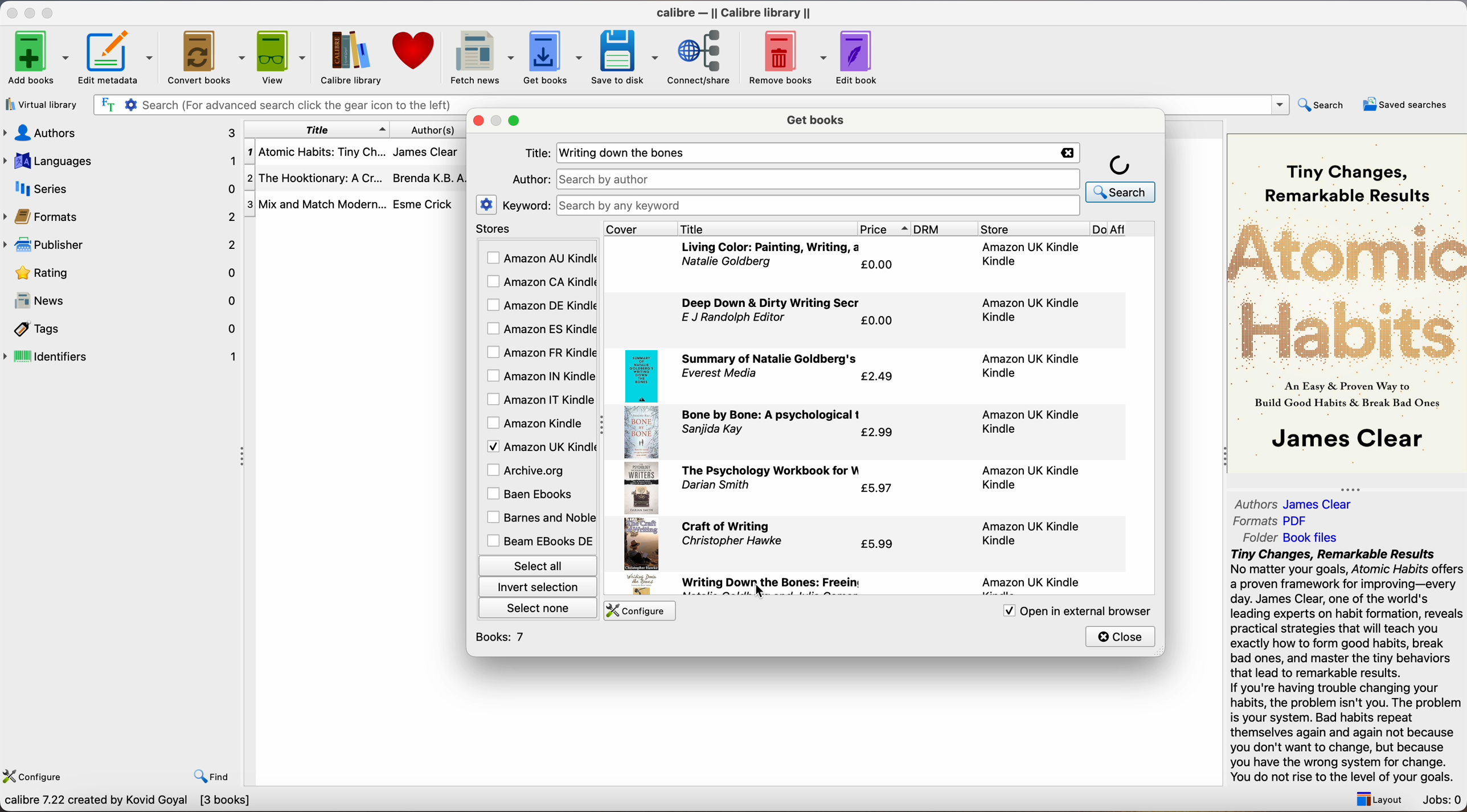 This screenshot has width=1467, height=812. Describe the element at coordinates (539, 541) in the screenshot. I see `beam ebooks DE` at that location.